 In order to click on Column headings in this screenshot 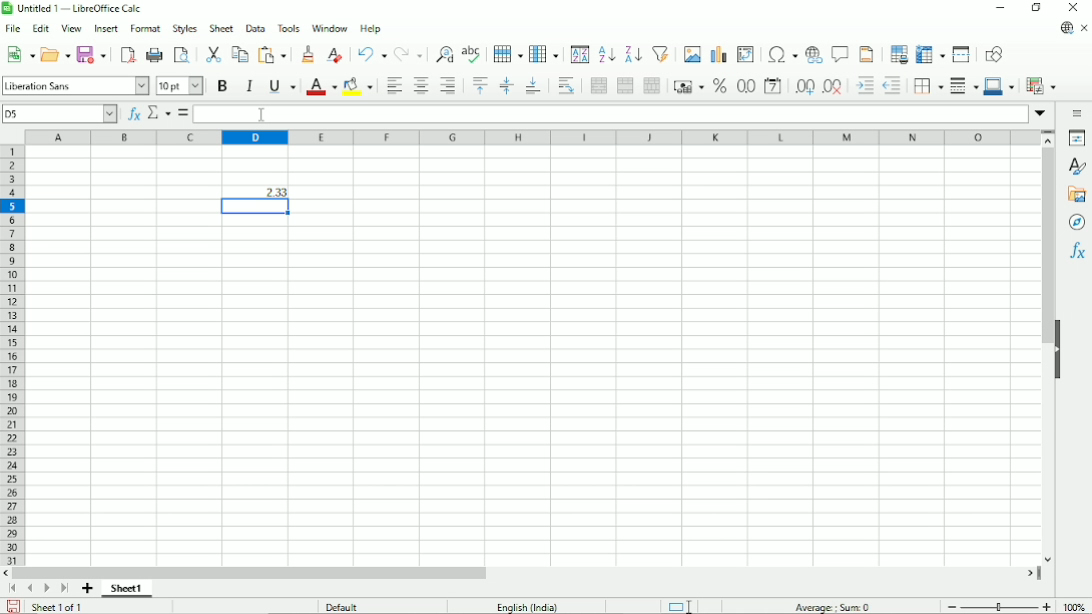, I will do `click(530, 137)`.